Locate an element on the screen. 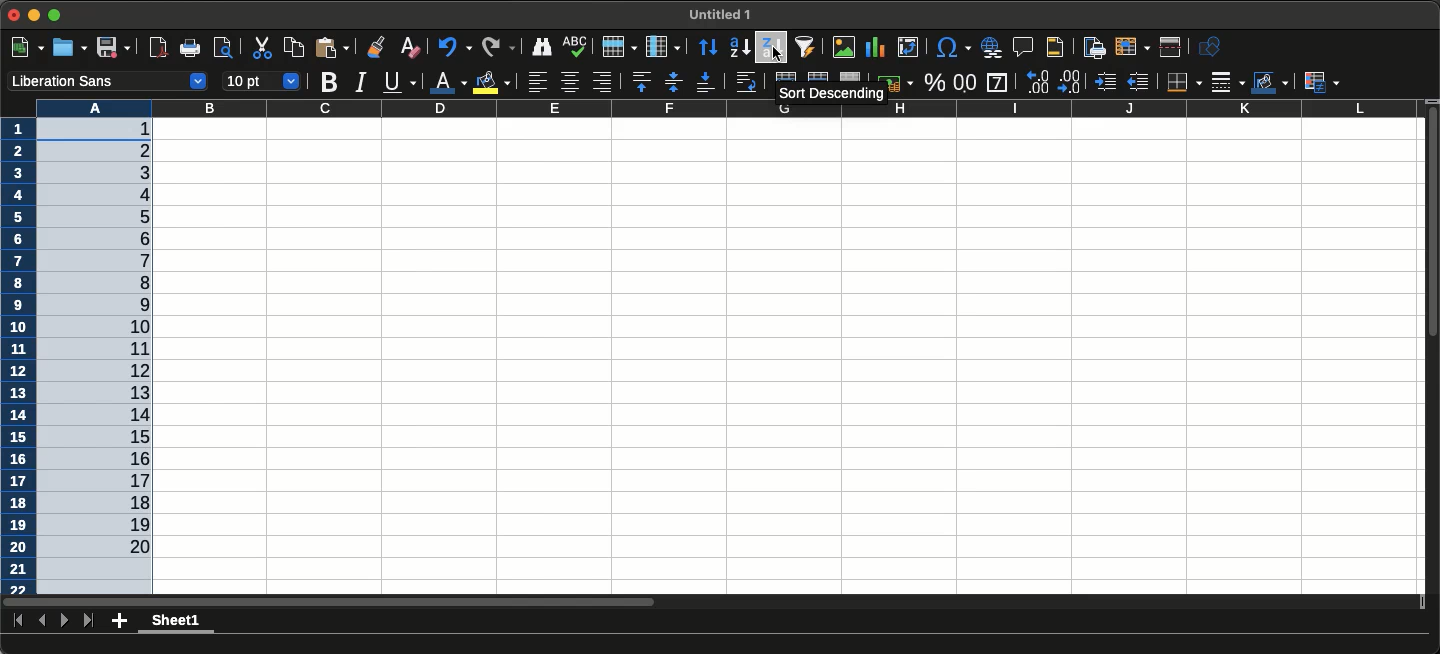 The width and height of the screenshot is (1440, 654). 2 is located at coordinates (120, 152).